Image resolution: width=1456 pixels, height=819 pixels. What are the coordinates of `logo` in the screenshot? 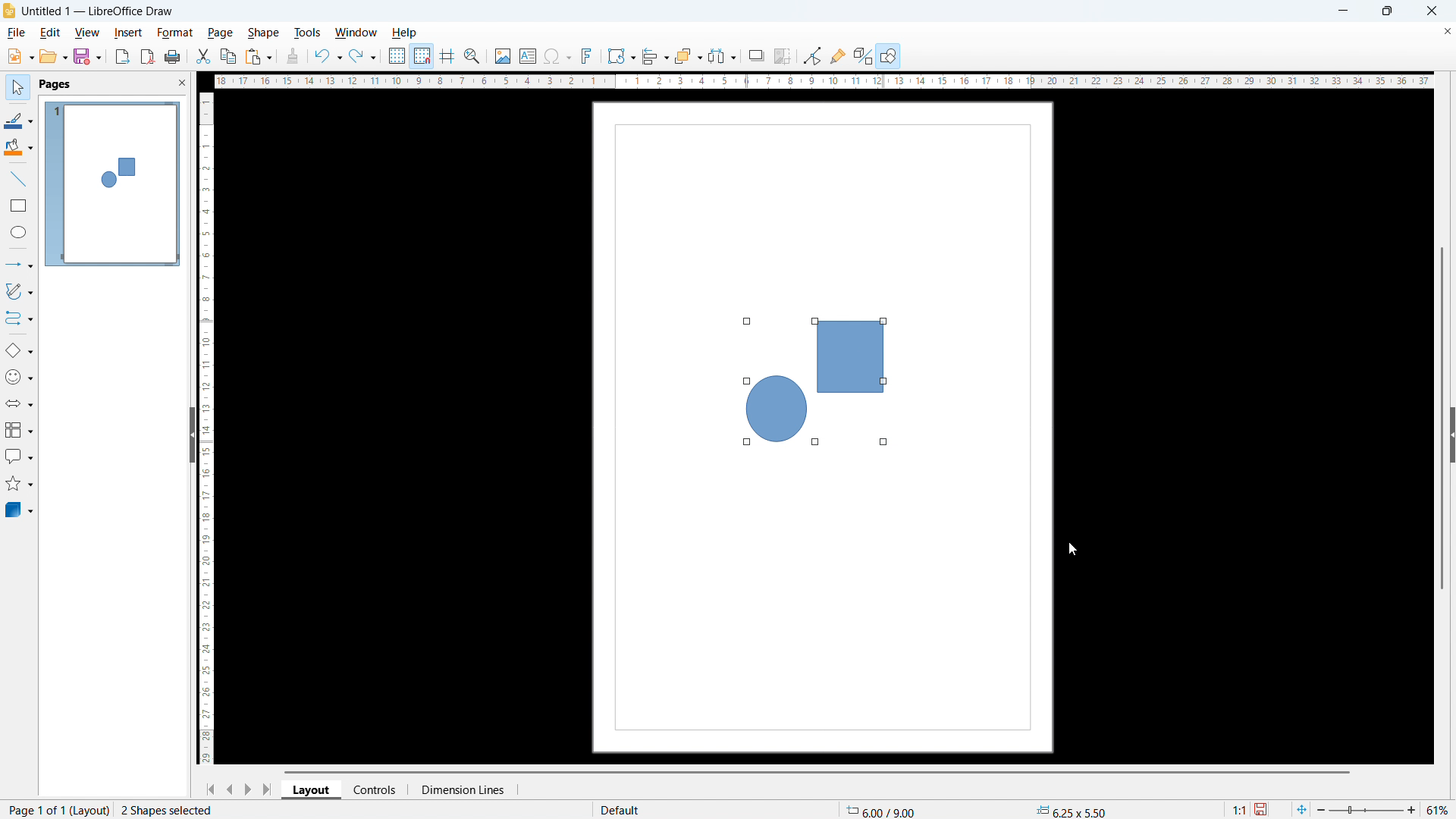 It's located at (9, 11).